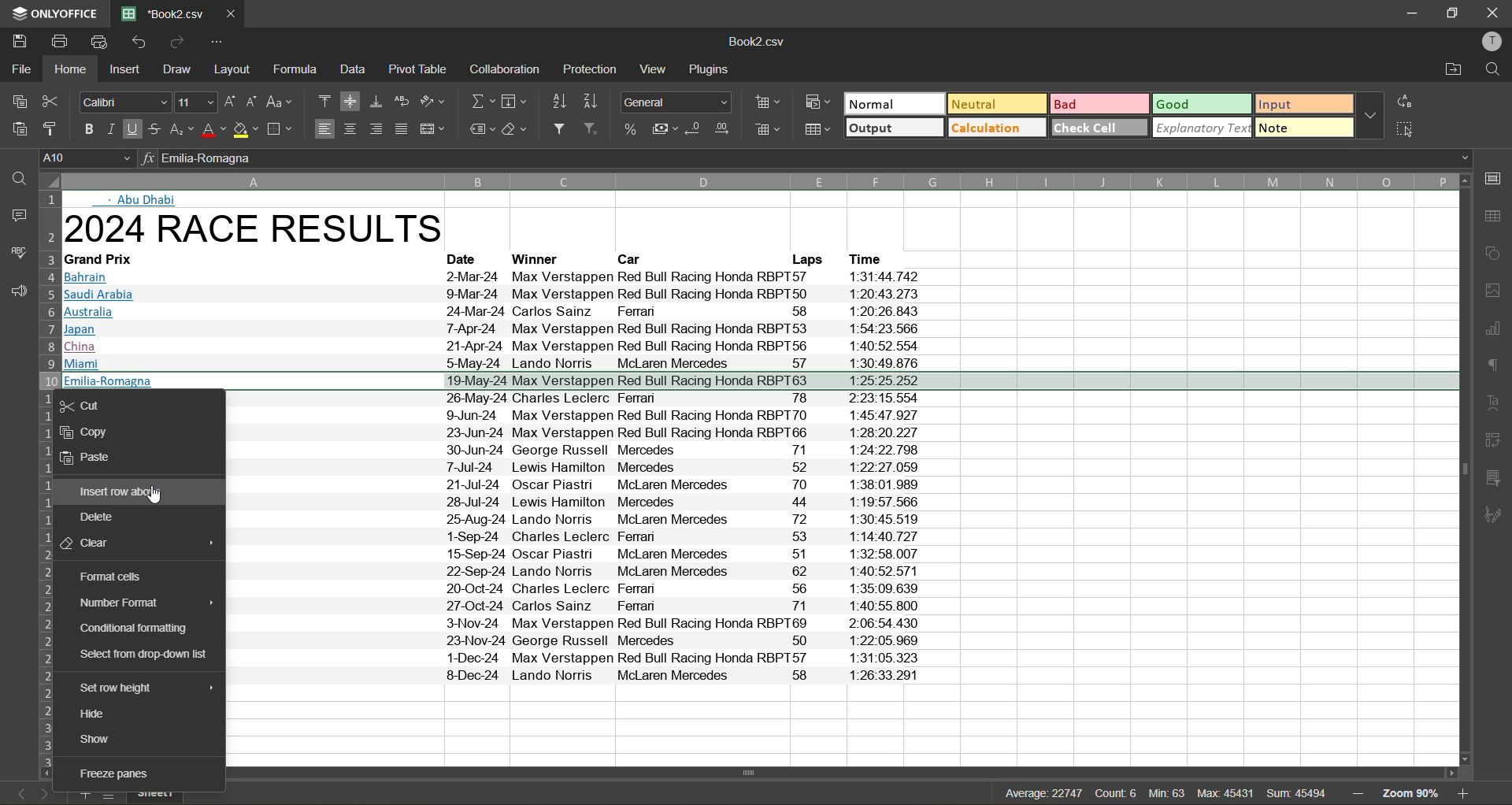 The image size is (1512, 805). I want to click on Time, so click(871, 258).